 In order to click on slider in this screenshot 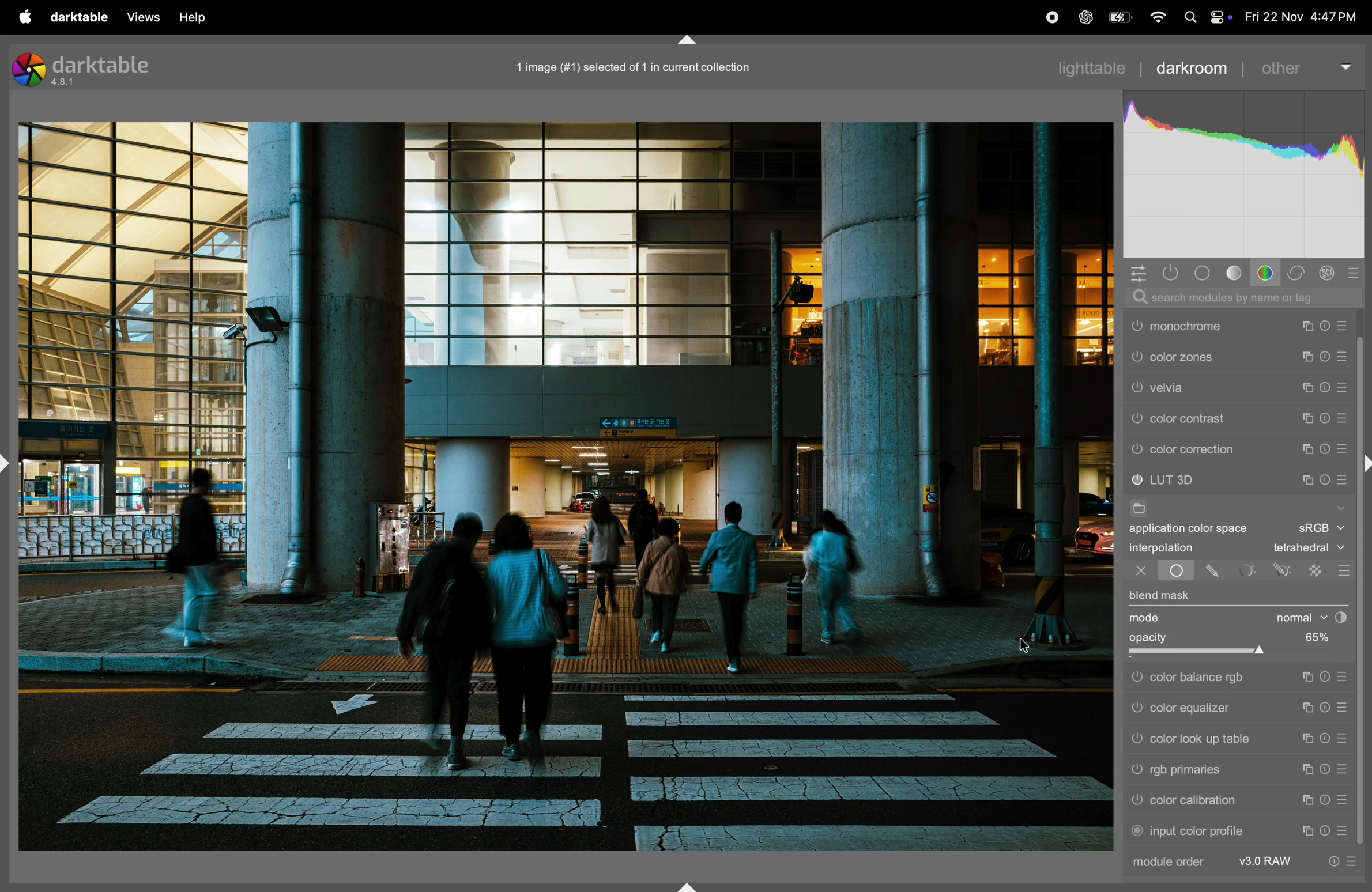, I will do `click(1237, 655)`.